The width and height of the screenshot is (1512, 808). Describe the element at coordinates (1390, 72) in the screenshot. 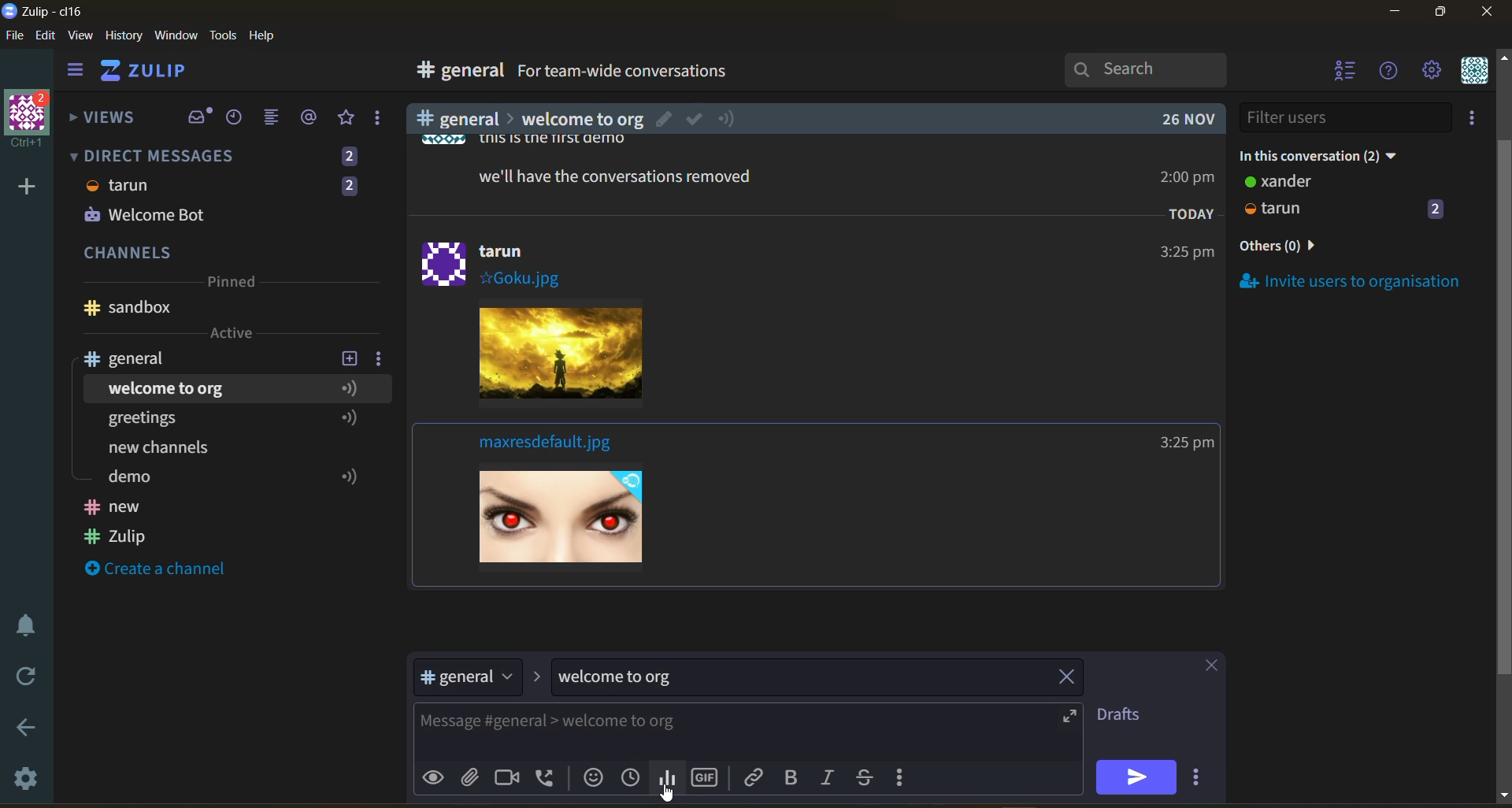

I see `help menu` at that location.